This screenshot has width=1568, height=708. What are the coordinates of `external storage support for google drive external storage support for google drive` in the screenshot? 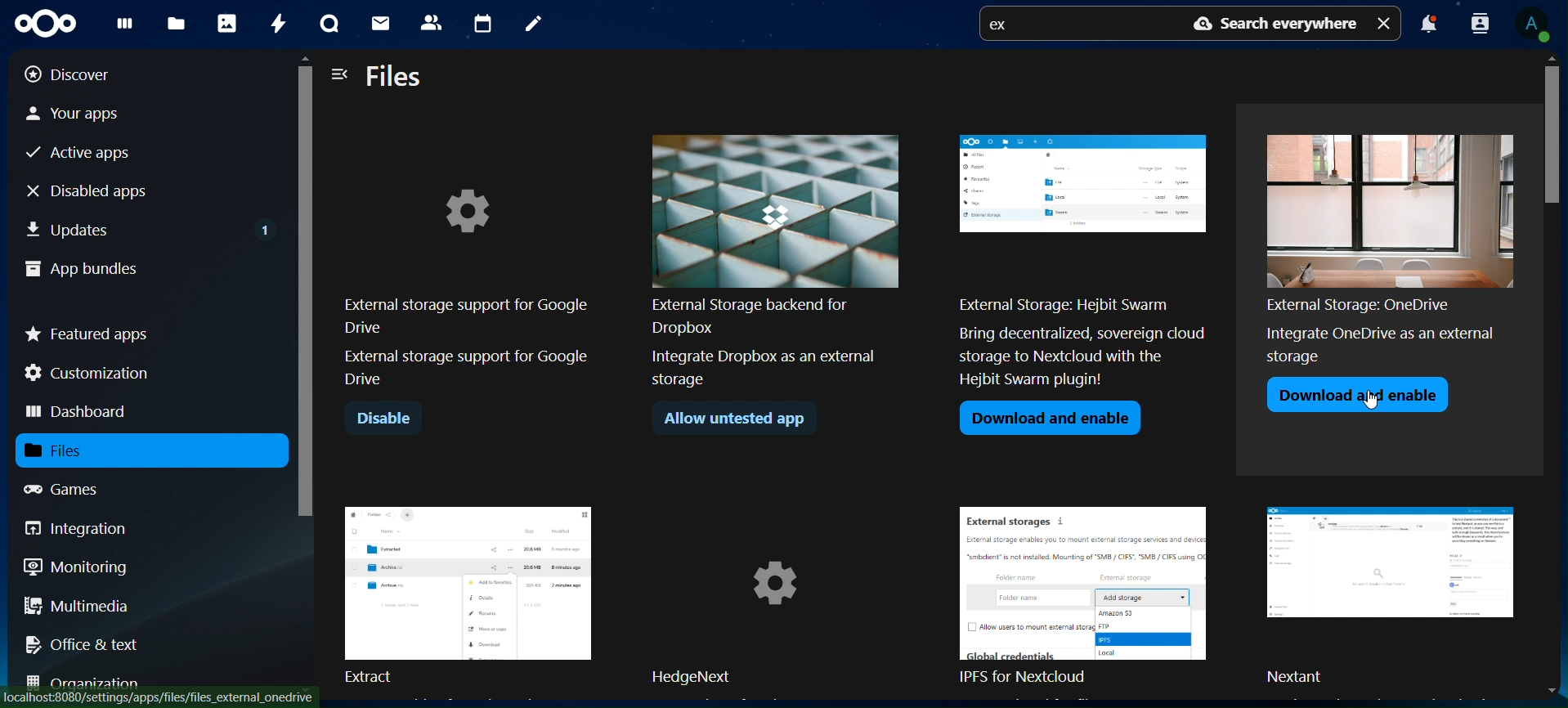 It's located at (467, 268).